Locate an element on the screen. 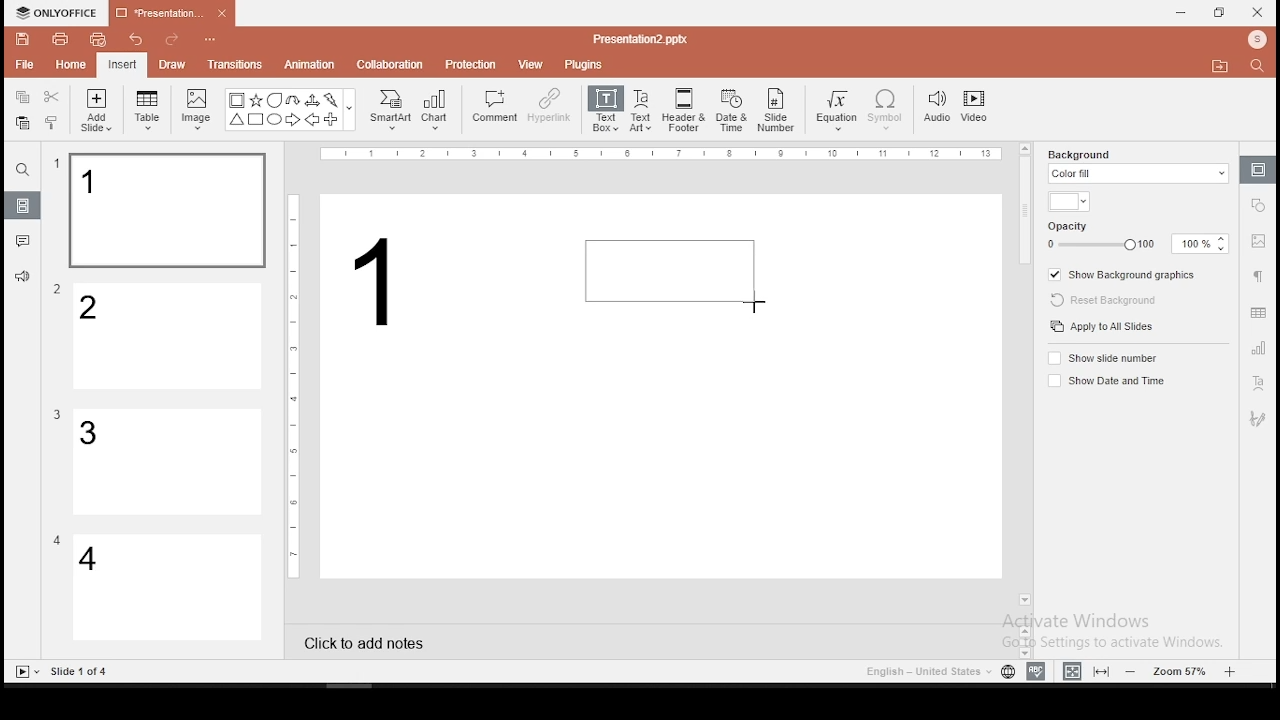 This screenshot has width=1280, height=720. comment is located at coordinates (495, 107).